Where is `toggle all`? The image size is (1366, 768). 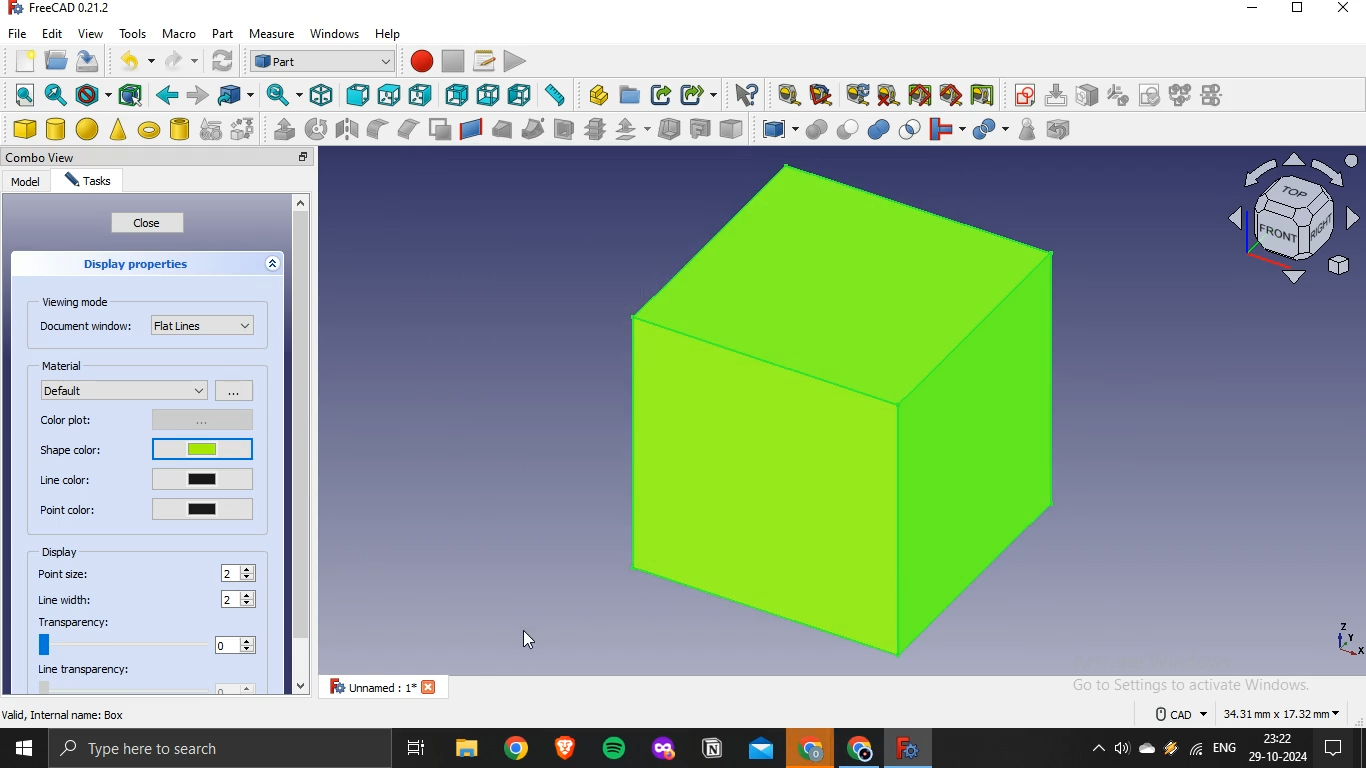 toggle all is located at coordinates (919, 95).